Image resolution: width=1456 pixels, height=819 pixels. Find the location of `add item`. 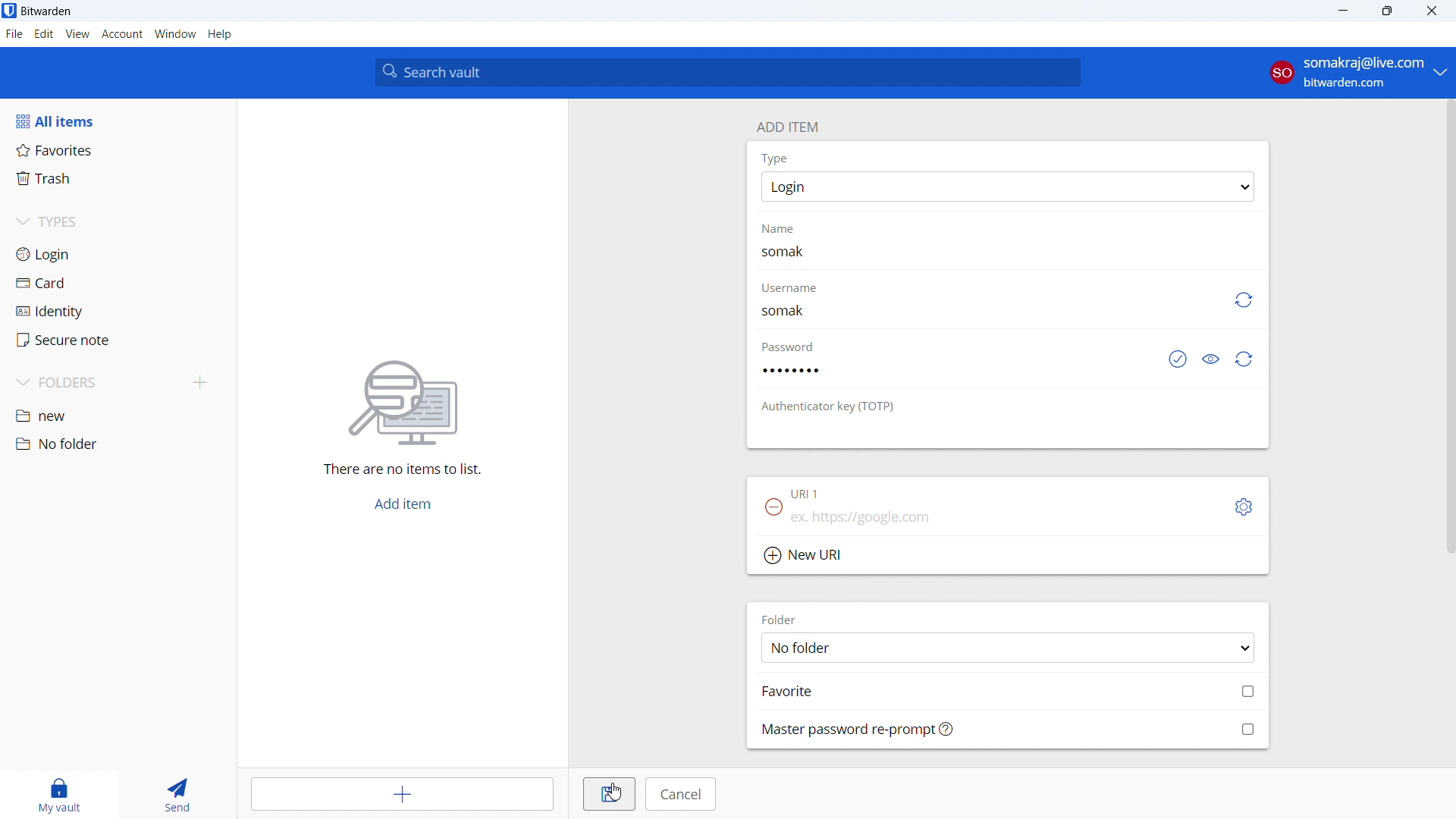

add item is located at coordinates (402, 505).